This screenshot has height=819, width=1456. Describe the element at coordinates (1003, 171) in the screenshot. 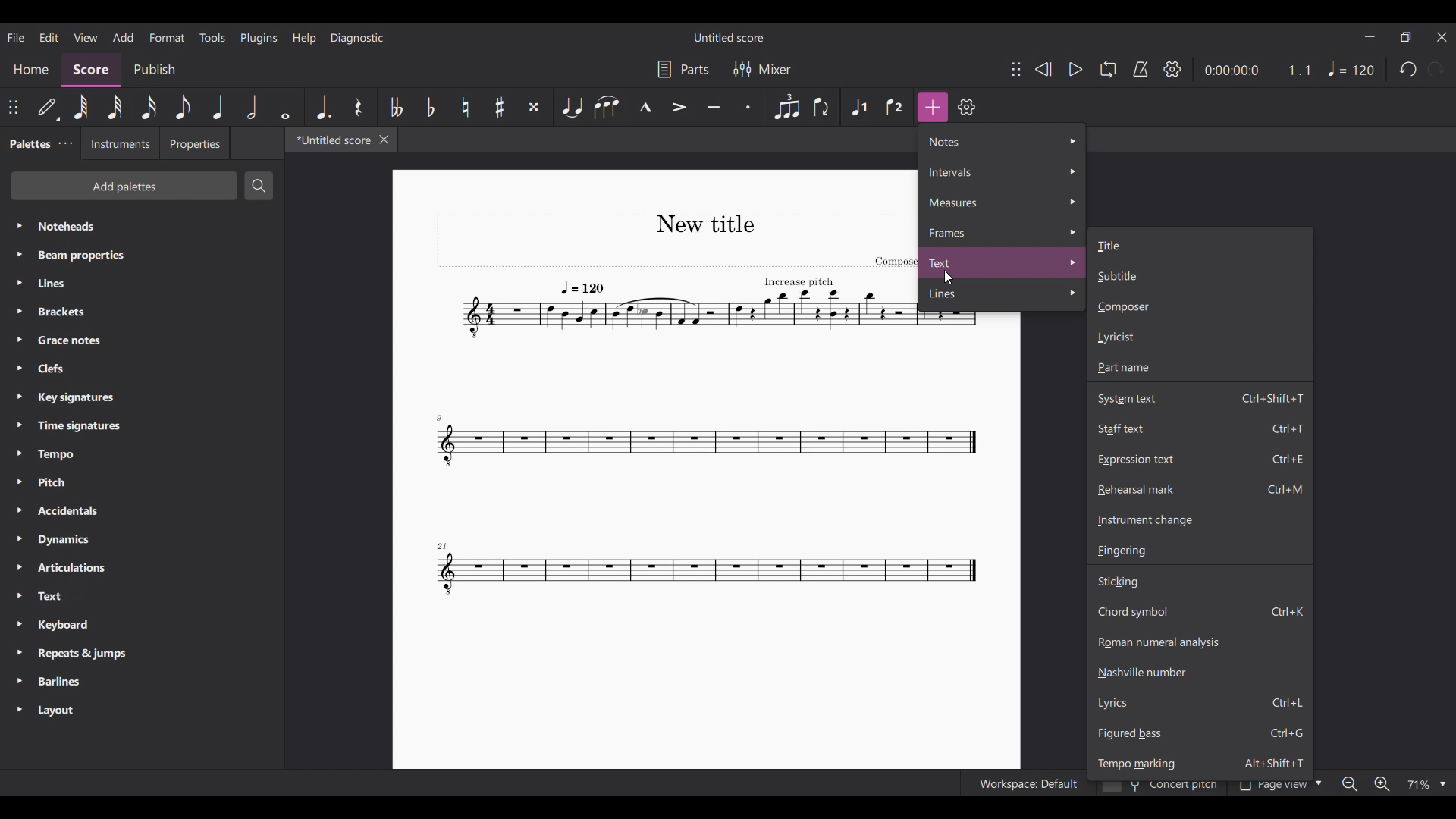

I see `Interval options` at that location.